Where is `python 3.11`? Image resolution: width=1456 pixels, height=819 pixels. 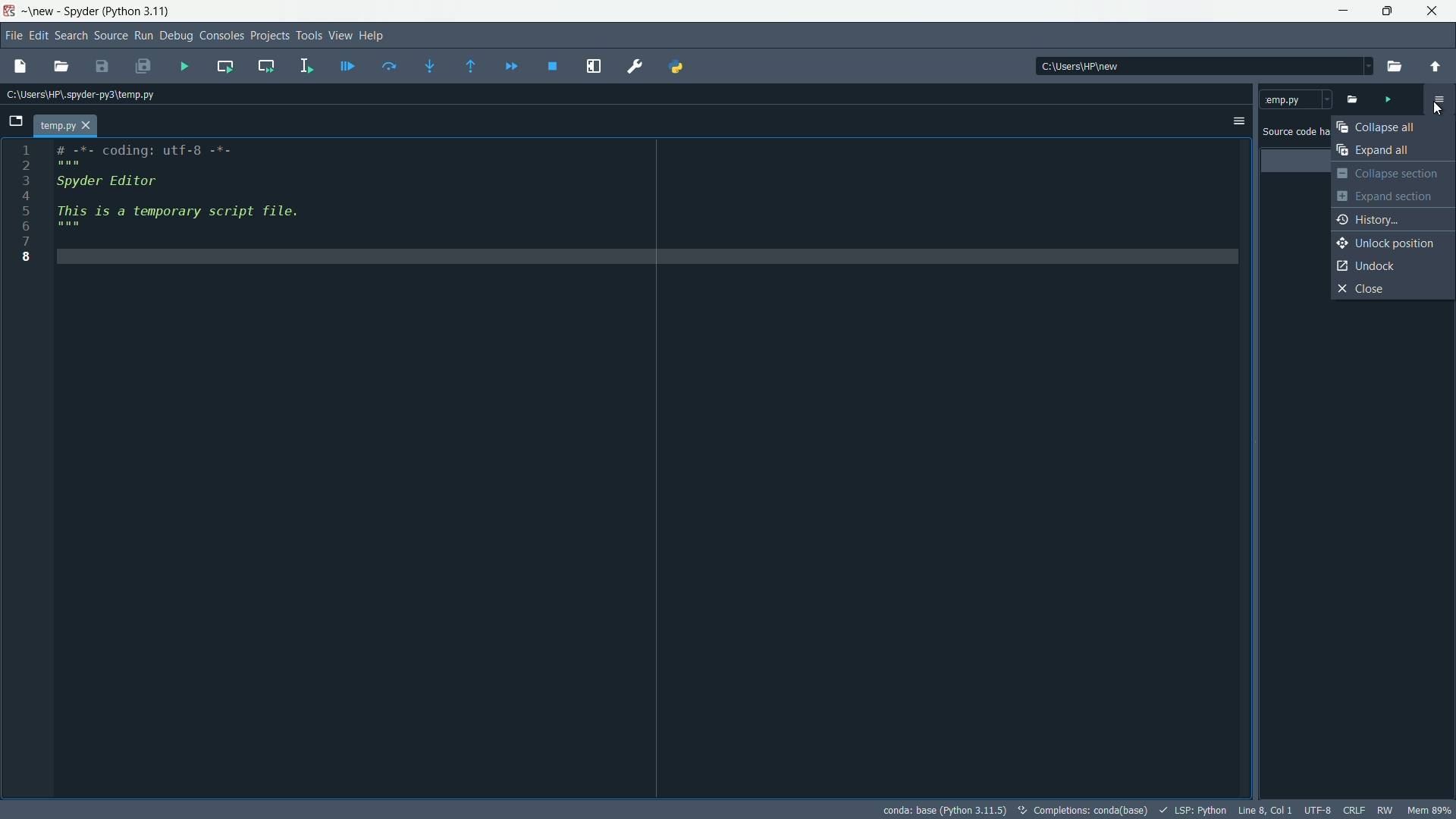
python 3.11 is located at coordinates (140, 12).